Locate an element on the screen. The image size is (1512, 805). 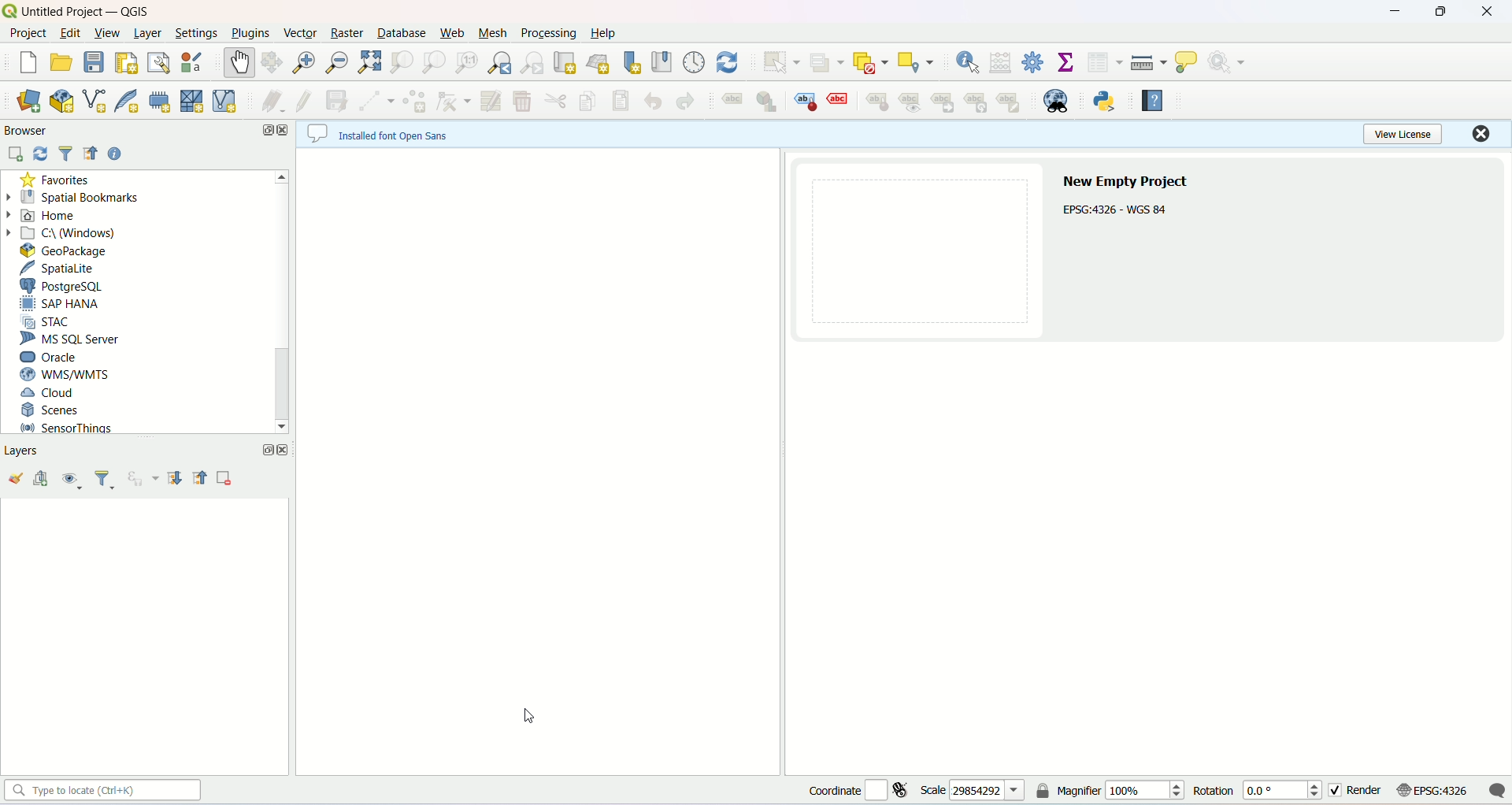
new temporary scratch layer is located at coordinates (159, 100).